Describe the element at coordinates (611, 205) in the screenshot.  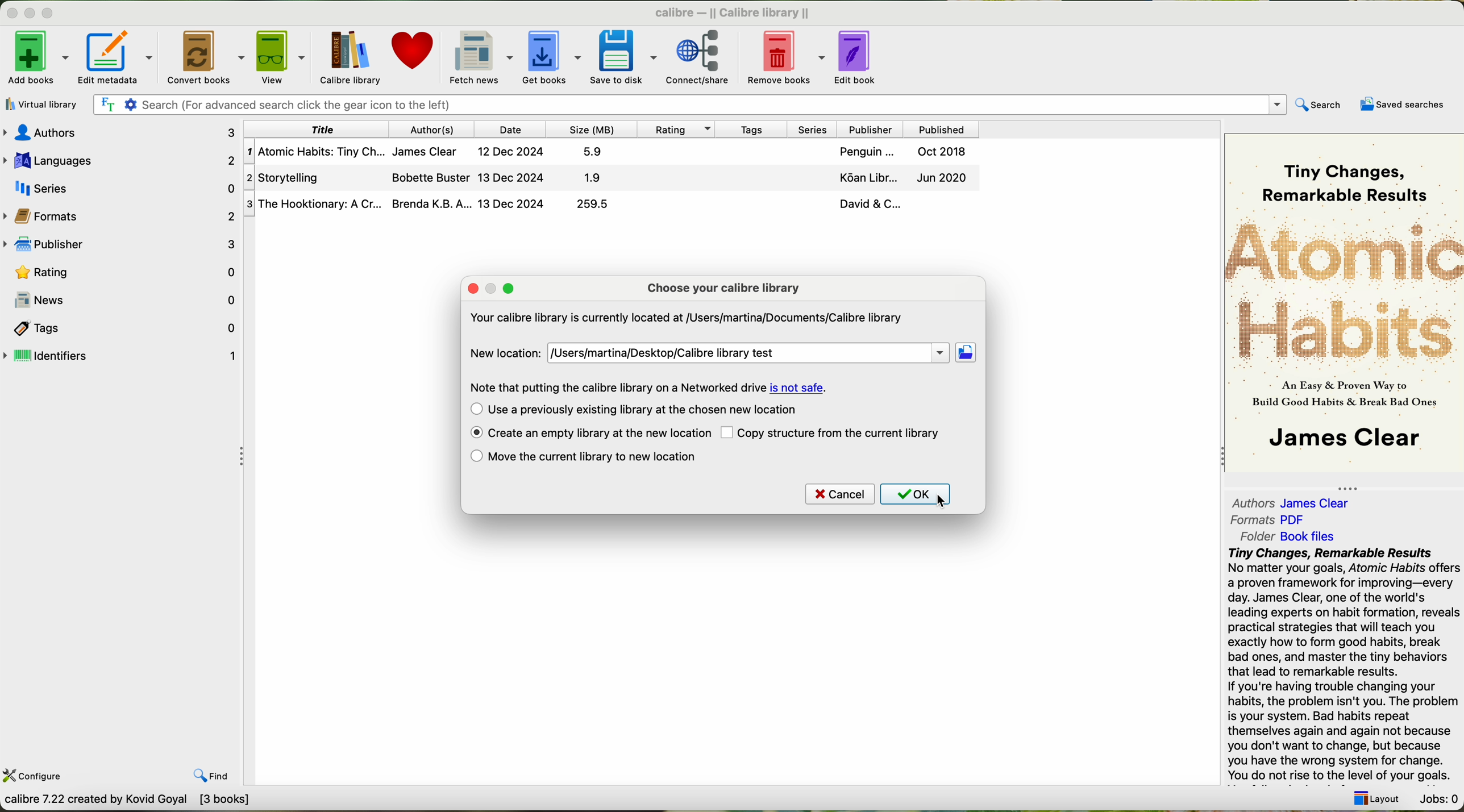
I see `Third Book The Hooktionary` at that location.